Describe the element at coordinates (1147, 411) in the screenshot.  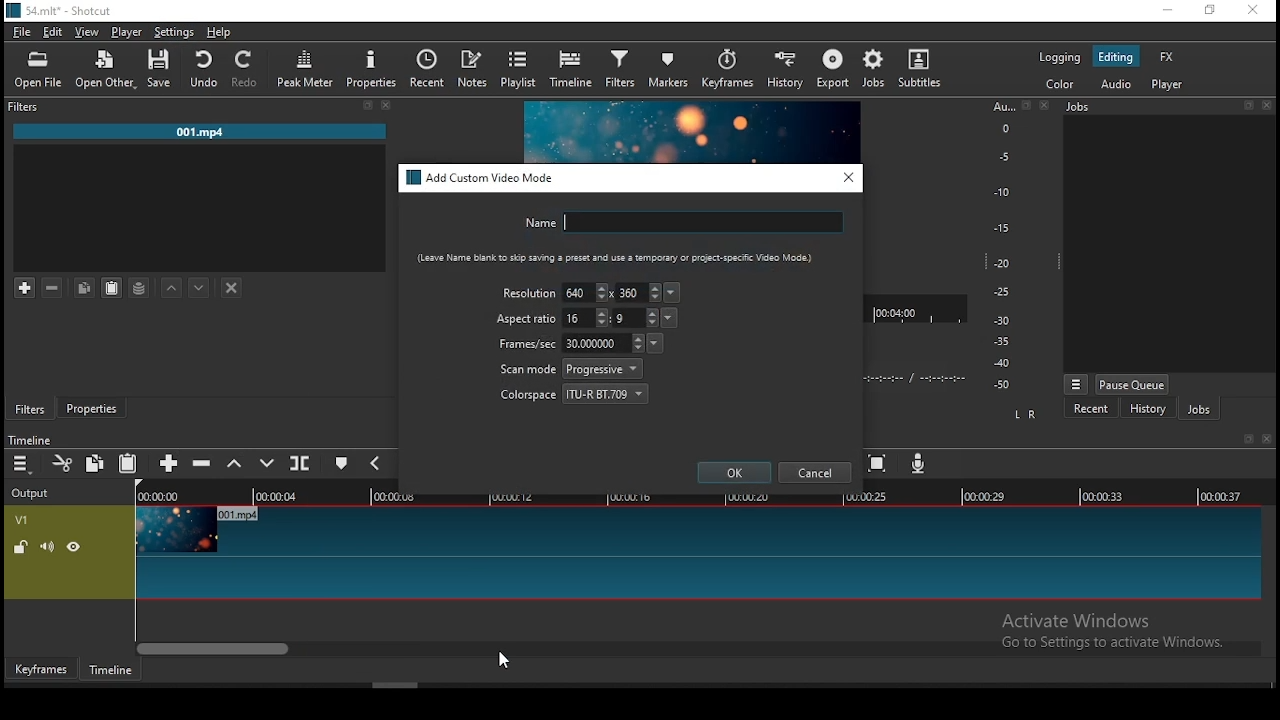
I see `history` at that location.